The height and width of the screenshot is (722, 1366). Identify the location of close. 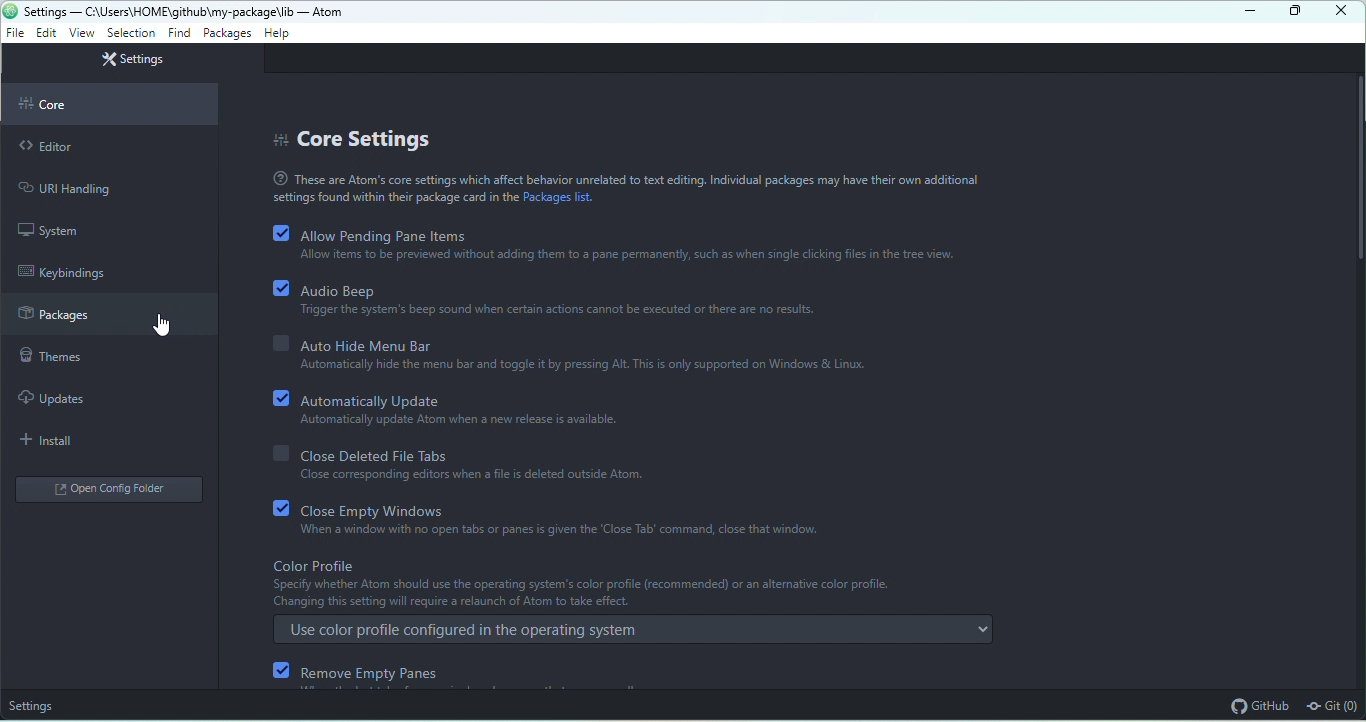
(1340, 12).